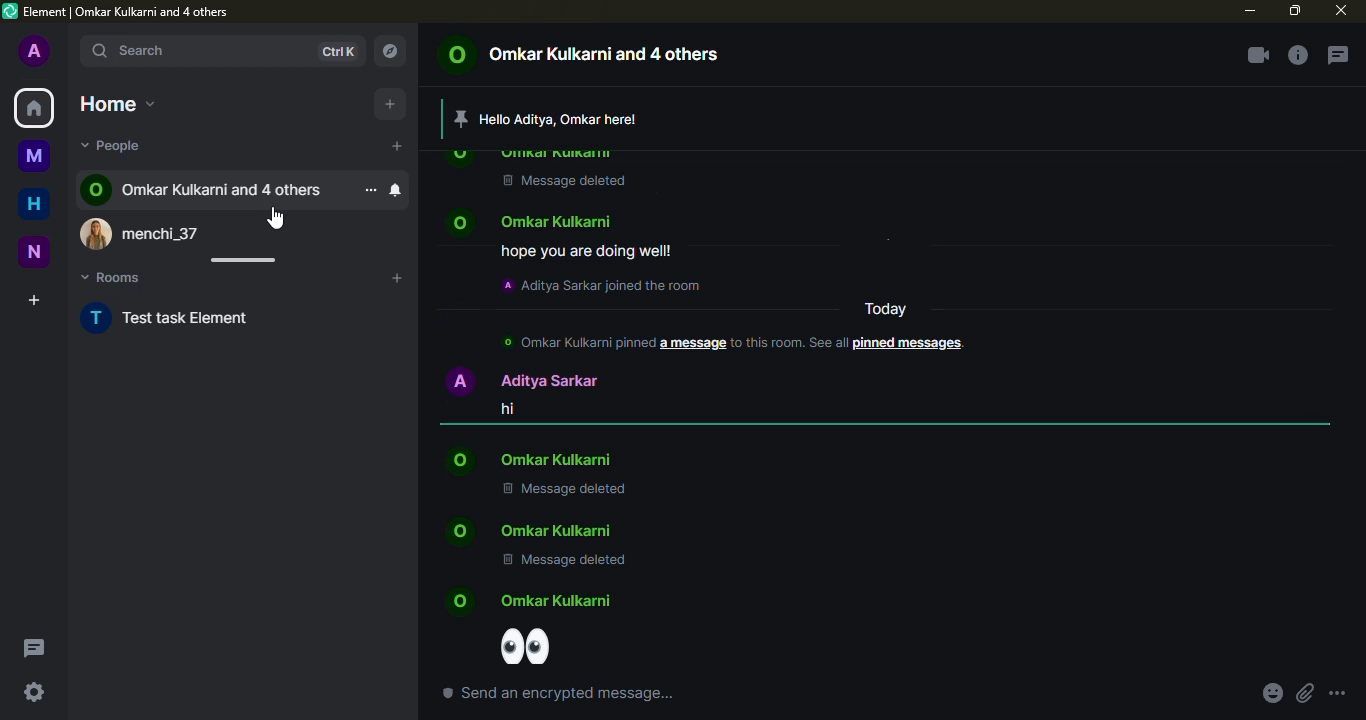 This screenshot has height=720, width=1366. Describe the element at coordinates (36, 252) in the screenshot. I see `new` at that location.